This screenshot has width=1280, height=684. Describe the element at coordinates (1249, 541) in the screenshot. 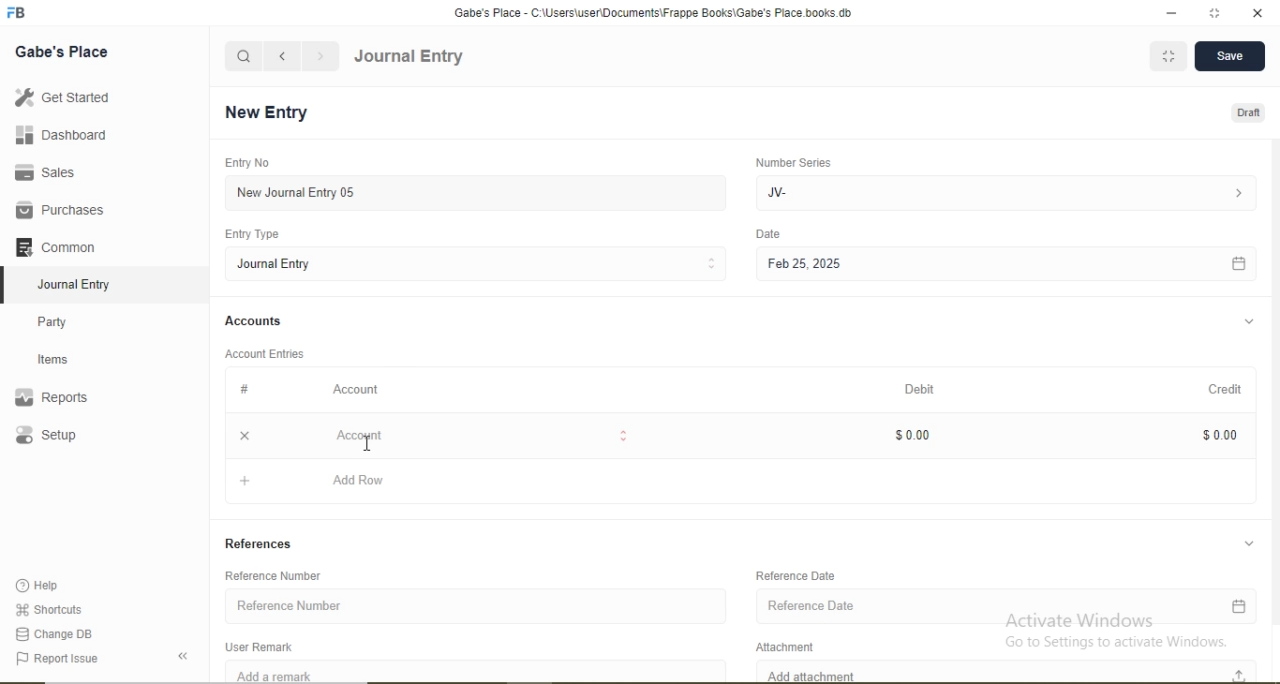

I see `collapse/expand` at that location.